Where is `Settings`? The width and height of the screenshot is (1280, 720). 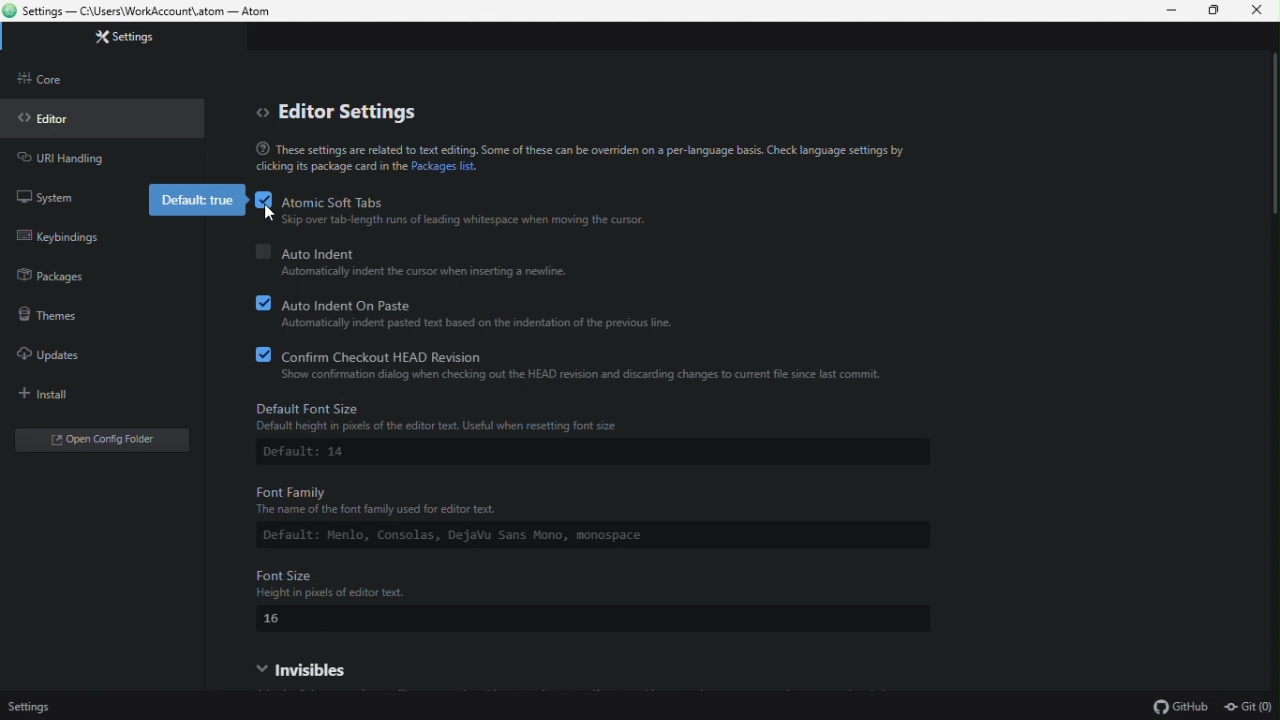 Settings is located at coordinates (47, 707).